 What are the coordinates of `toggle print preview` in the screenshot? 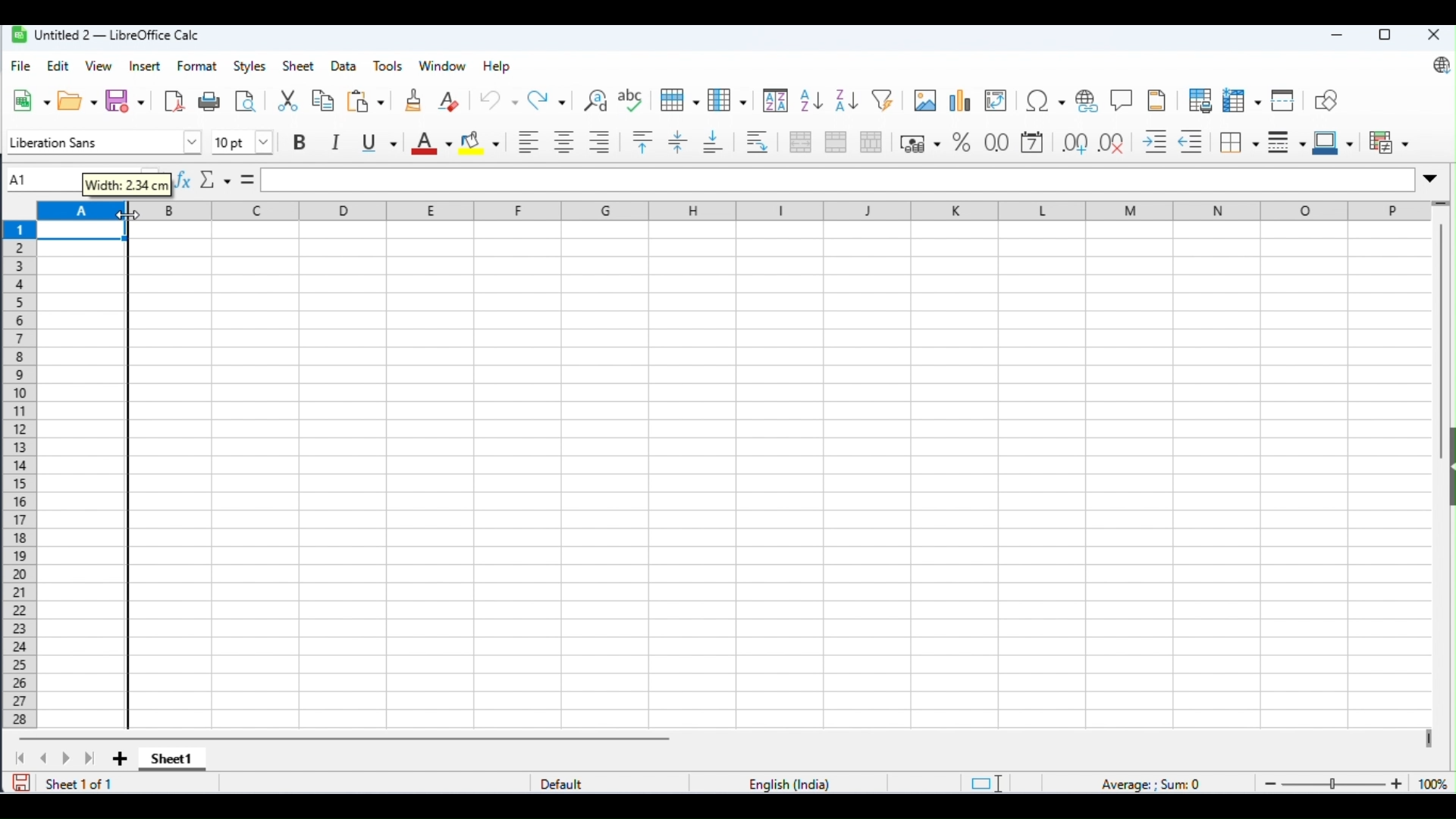 It's located at (246, 101).